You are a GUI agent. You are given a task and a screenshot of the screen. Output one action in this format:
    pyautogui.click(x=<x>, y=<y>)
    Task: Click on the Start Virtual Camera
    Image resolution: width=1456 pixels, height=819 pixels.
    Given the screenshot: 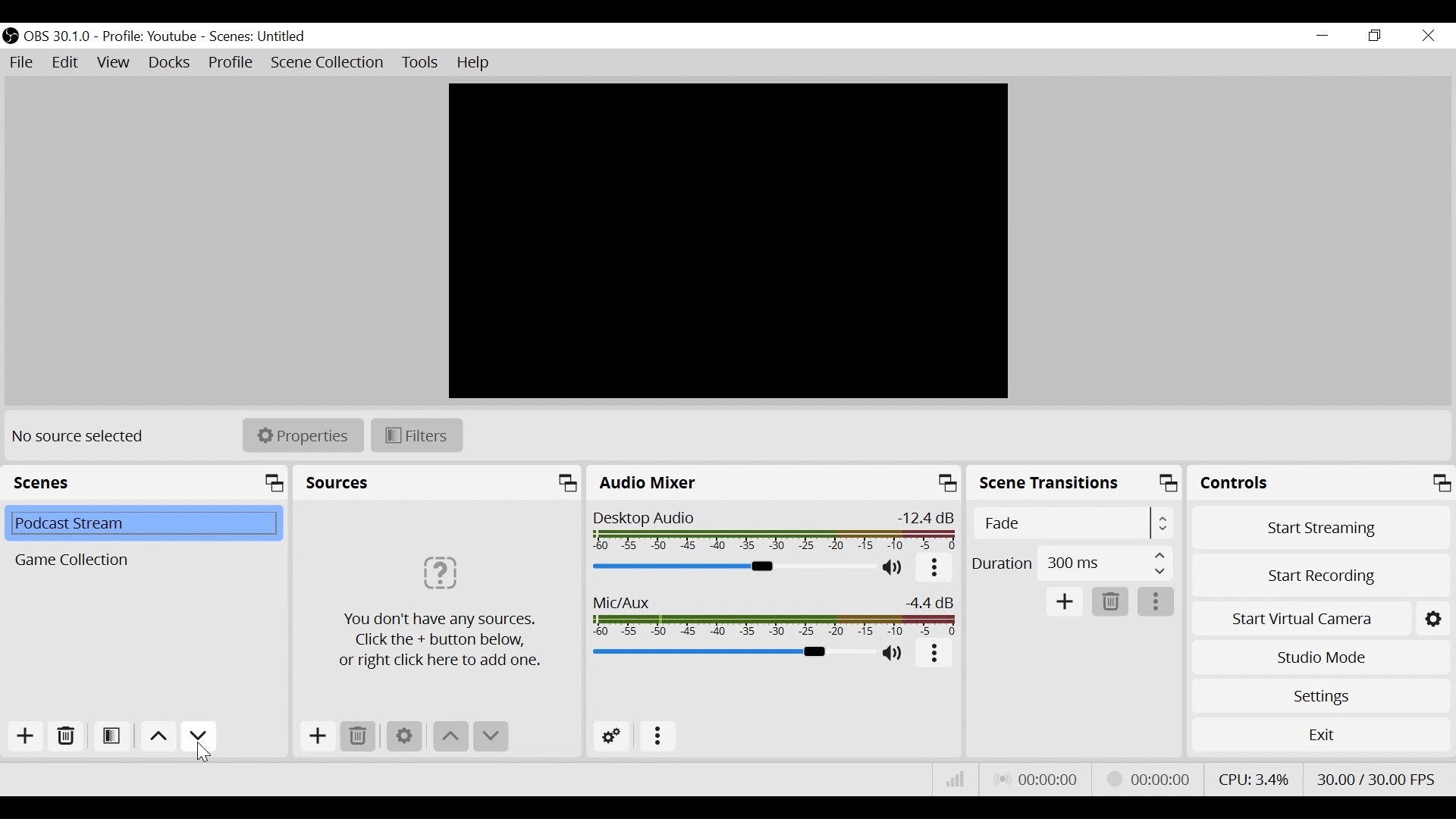 What is the action you would take?
    pyautogui.click(x=1301, y=616)
    